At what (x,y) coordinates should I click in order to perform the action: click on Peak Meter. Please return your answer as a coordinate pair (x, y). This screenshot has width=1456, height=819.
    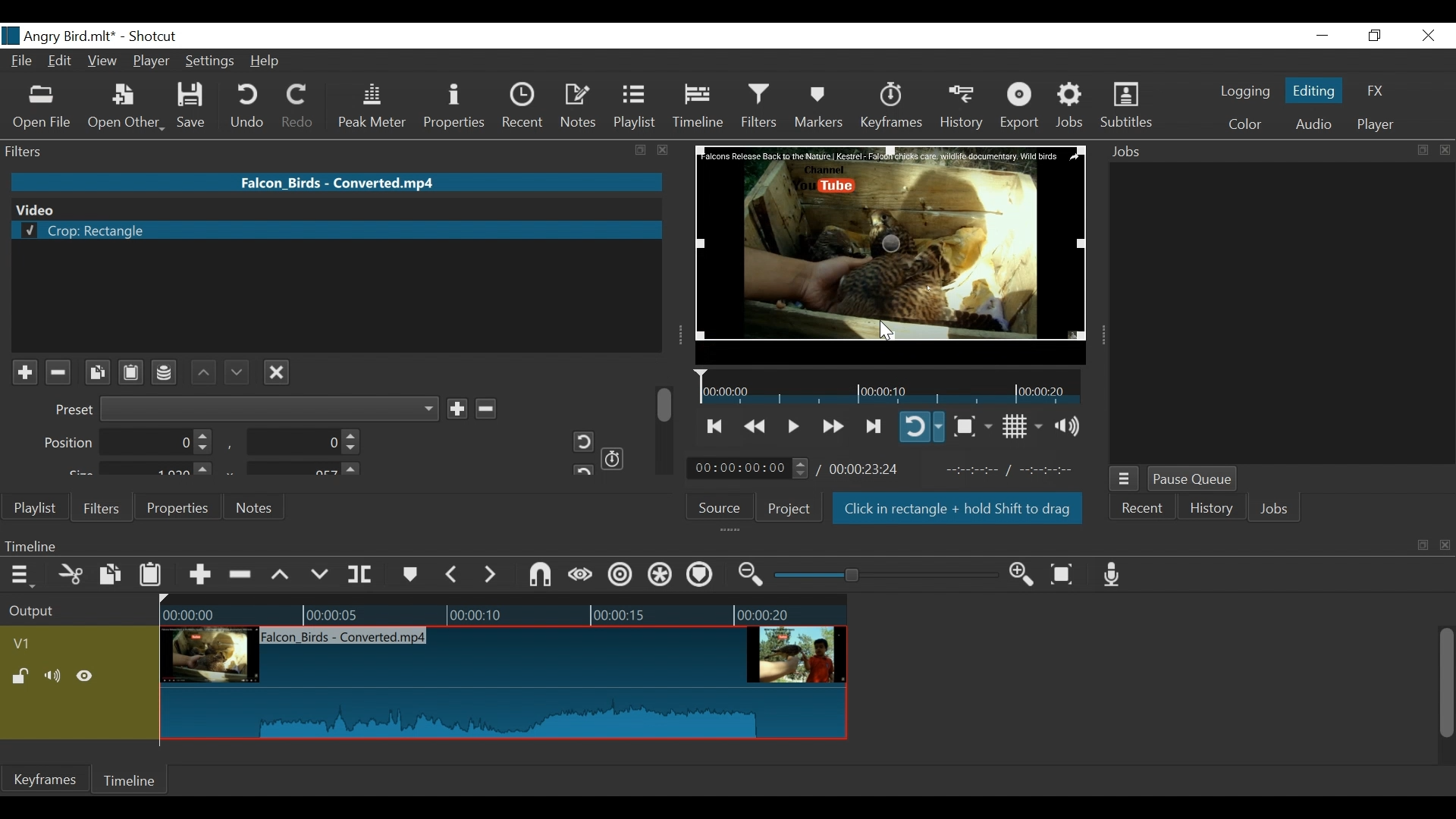
    Looking at the image, I should click on (375, 107).